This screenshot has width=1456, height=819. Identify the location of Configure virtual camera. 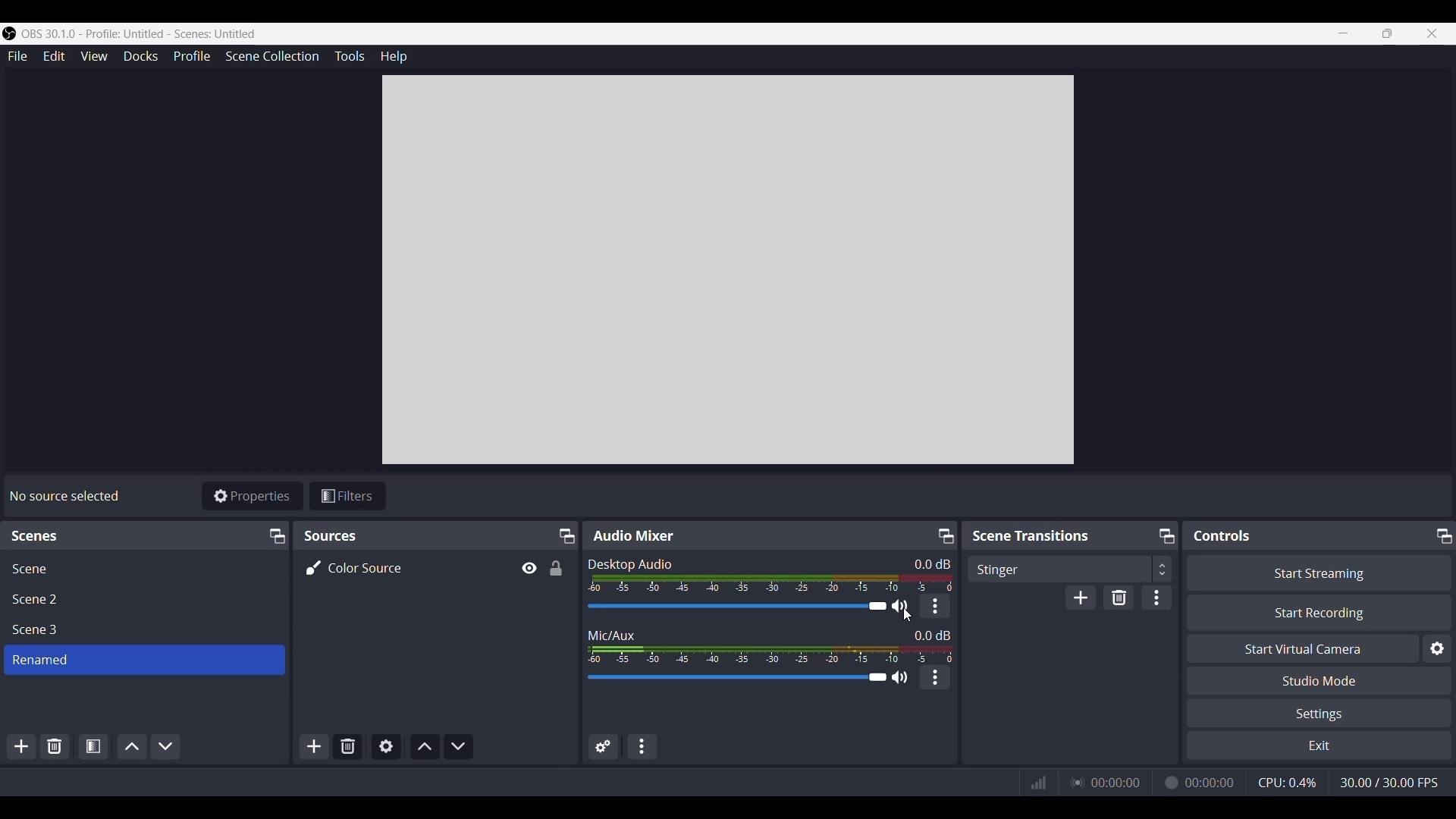
(1437, 648).